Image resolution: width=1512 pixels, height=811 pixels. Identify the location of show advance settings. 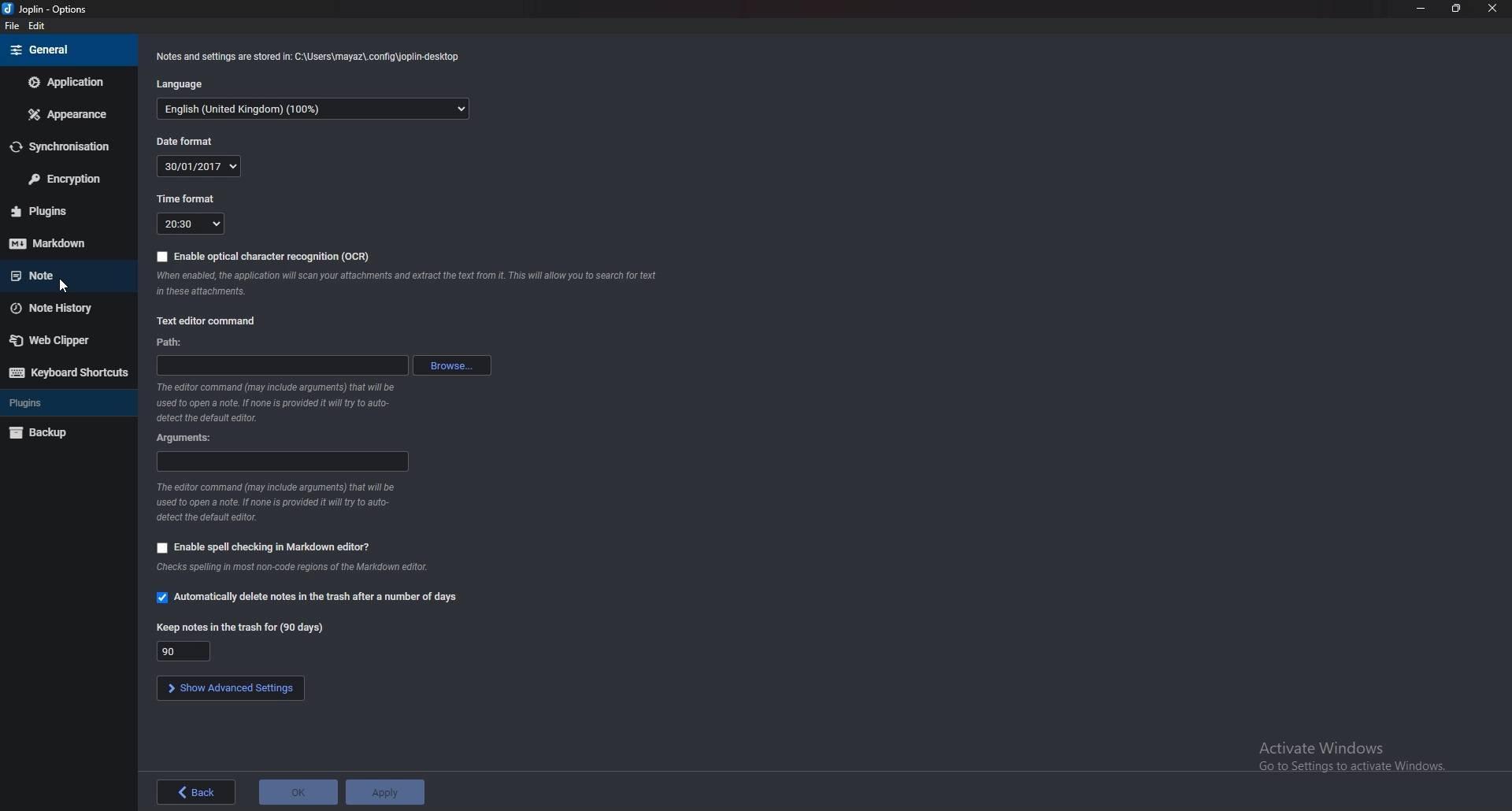
(230, 687).